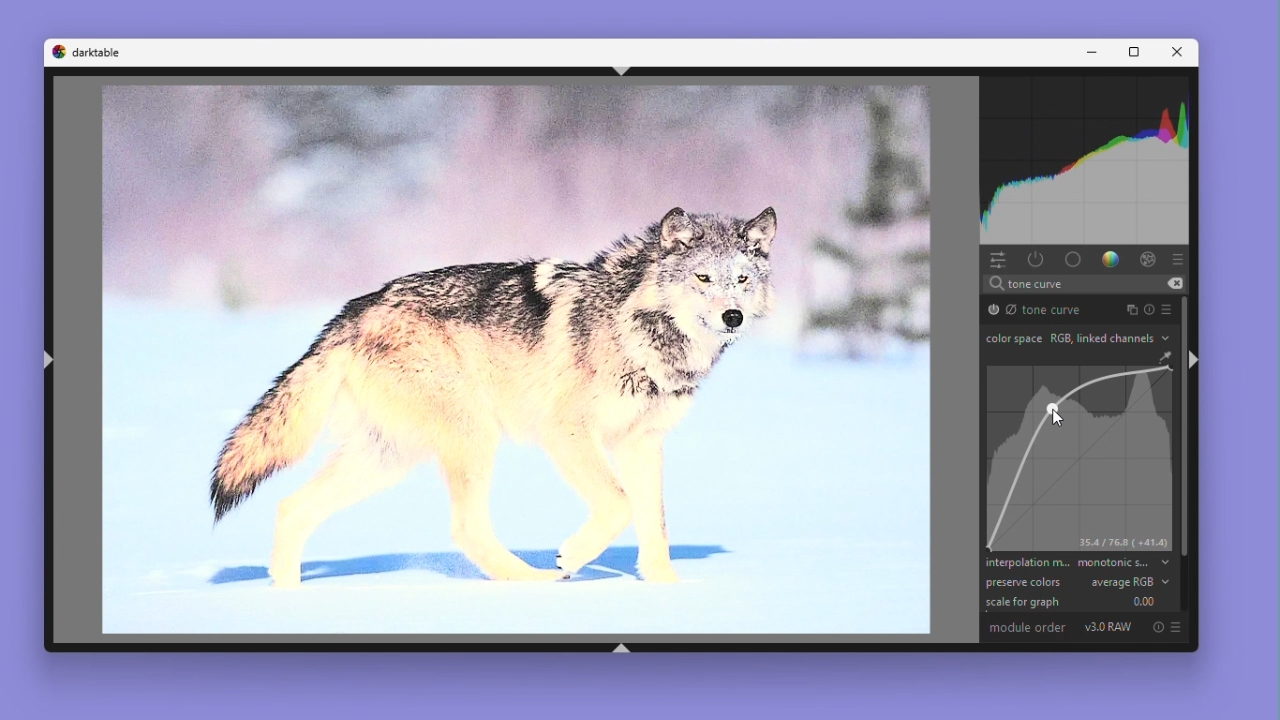 The image size is (1280, 720). Describe the element at coordinates (1163, 358) in the screenshot. I see `GUI Color Picker` at that location.